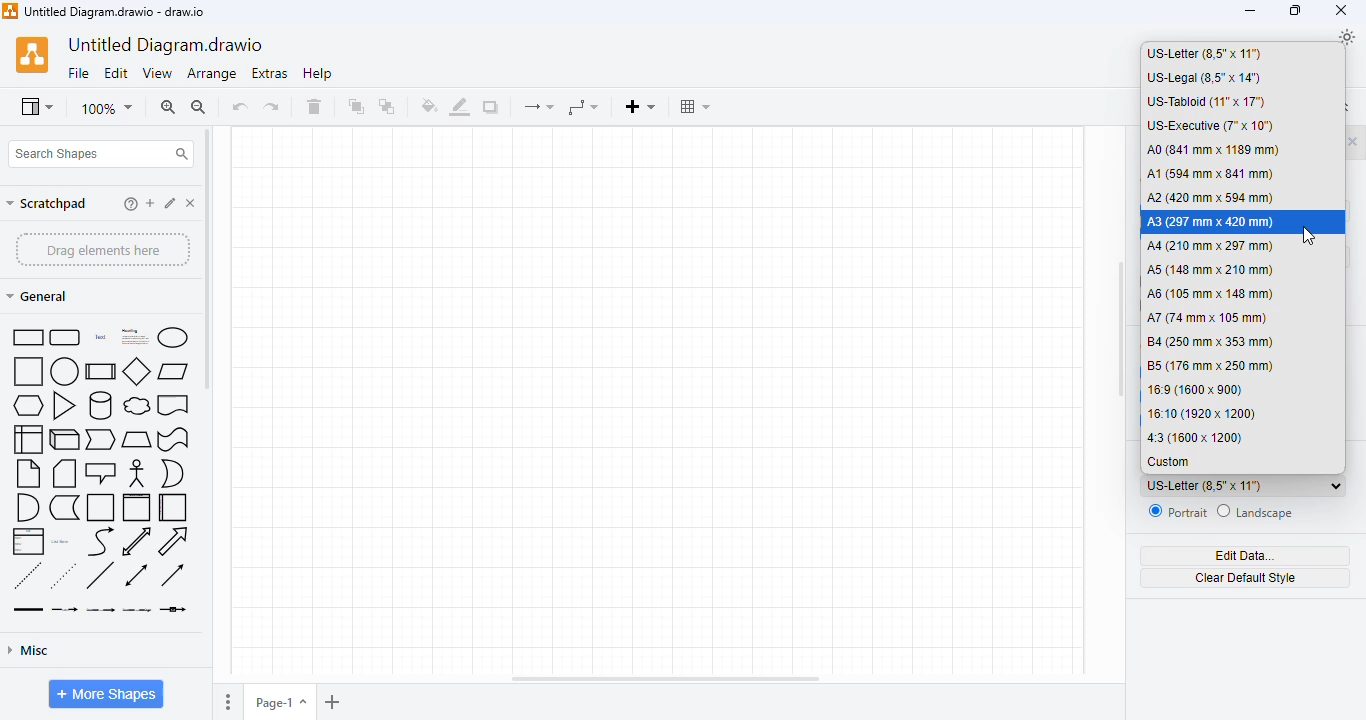  What do you see at coordinates (64, 508) in the screenshot?
I see `data storage` at bounding box center [64, 508].